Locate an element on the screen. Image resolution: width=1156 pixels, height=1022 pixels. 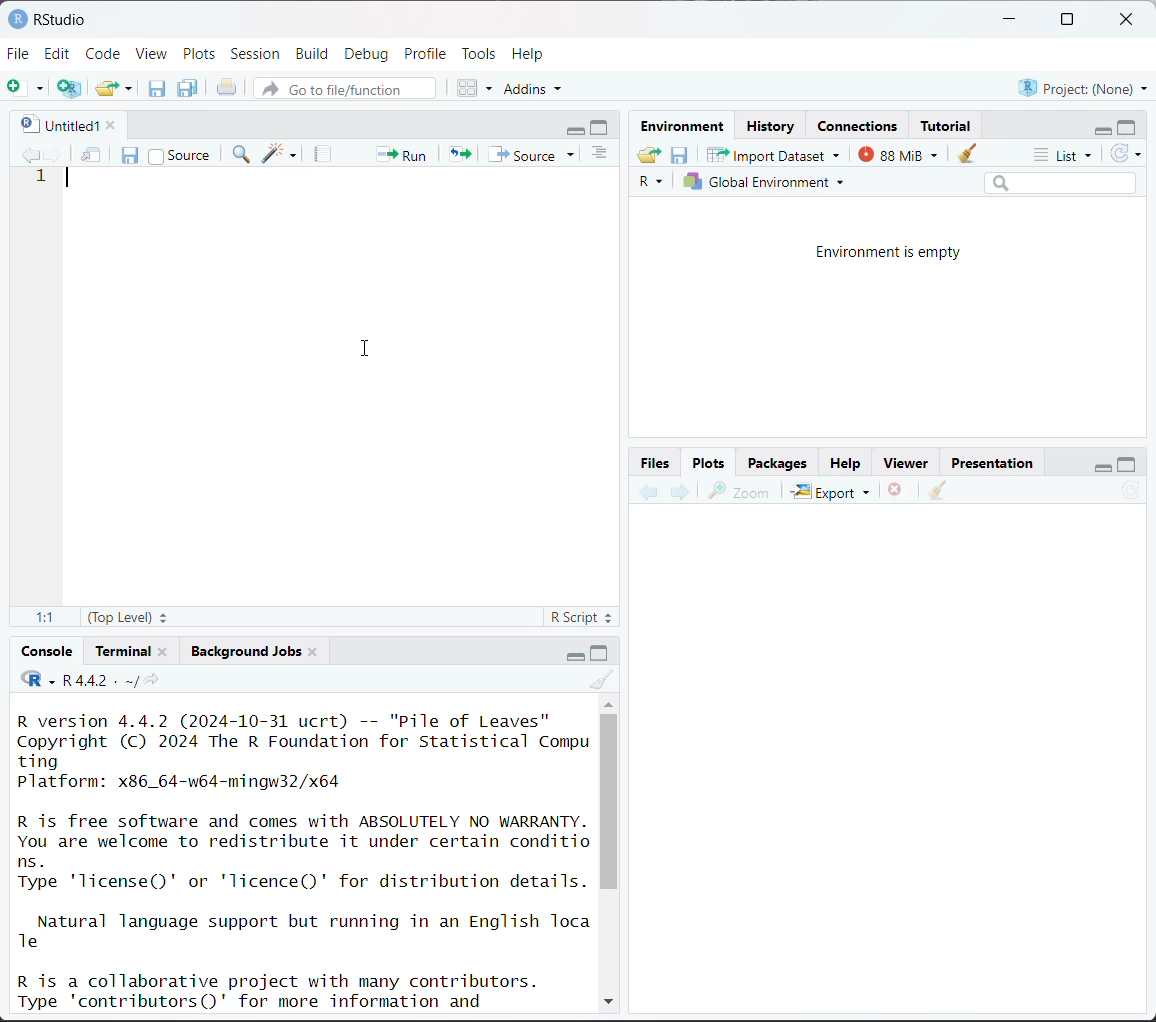
refresh current plot is located at coordinates (1131, 493).